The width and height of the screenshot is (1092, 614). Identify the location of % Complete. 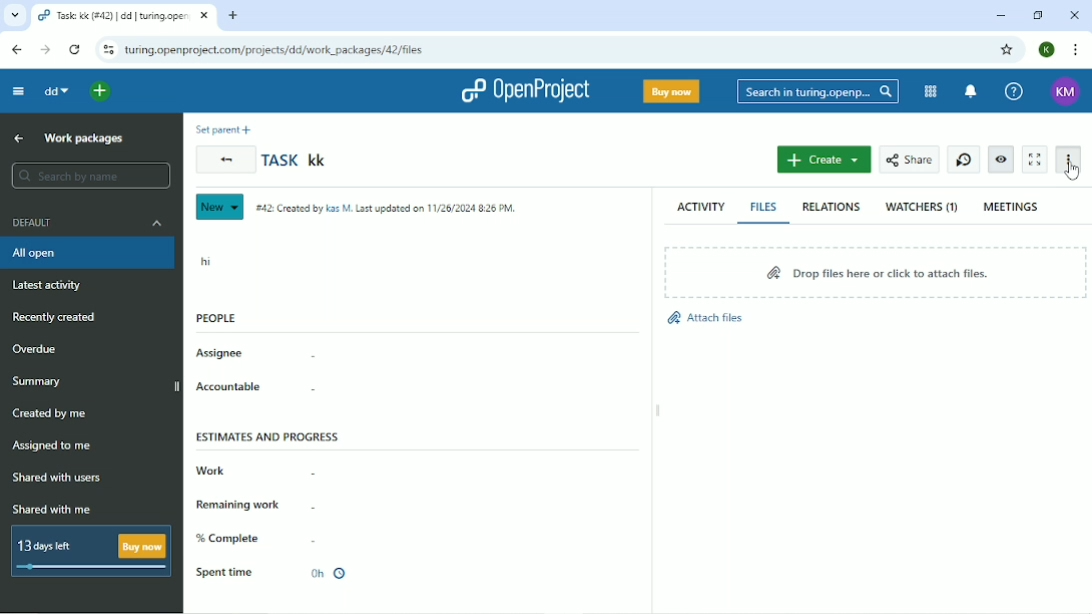
(257, 538).